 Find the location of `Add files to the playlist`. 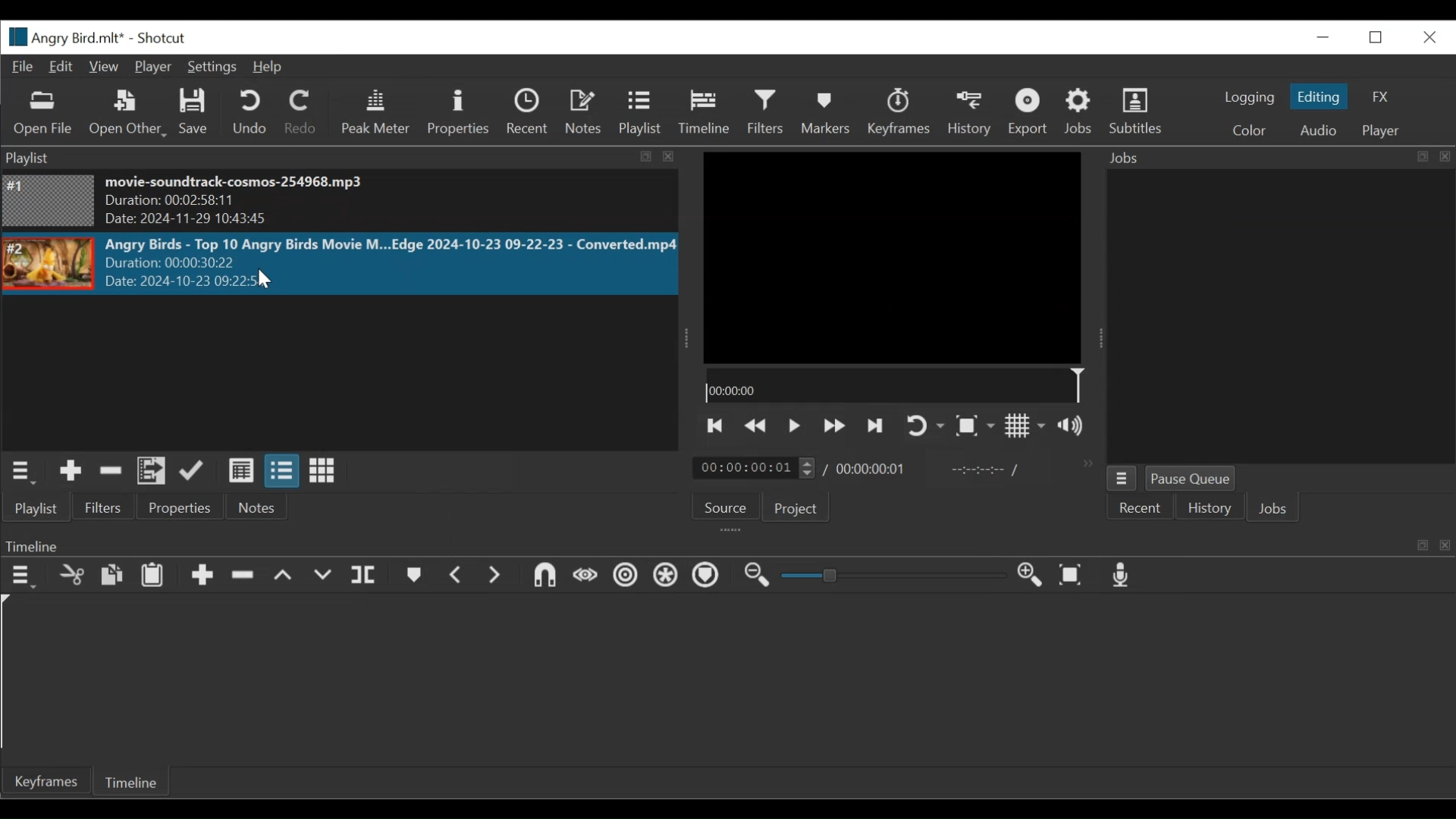

Add files to the playlist is located at coordinates (152, 472).